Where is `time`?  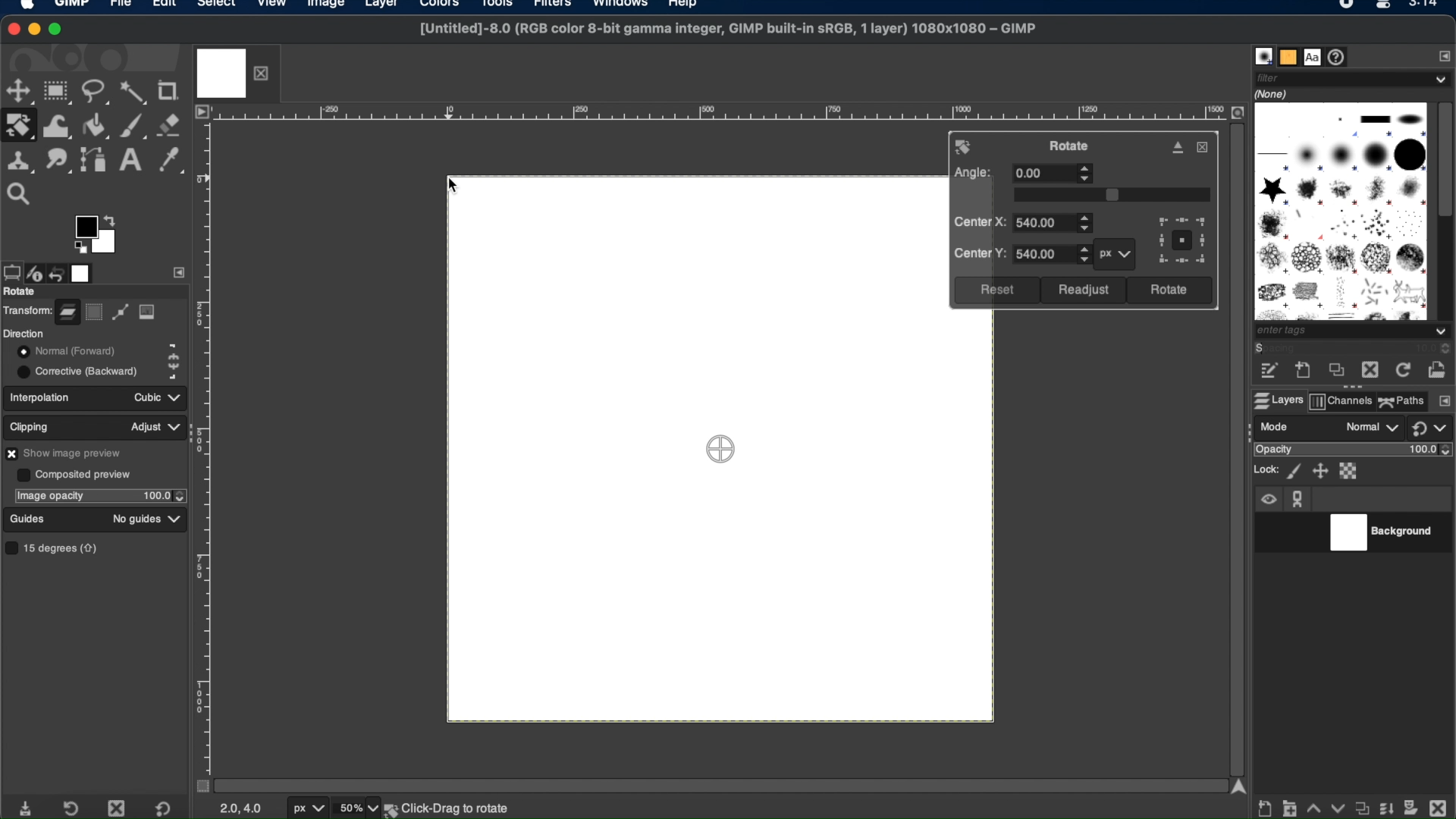
time is located at coordinates (1426, 8).